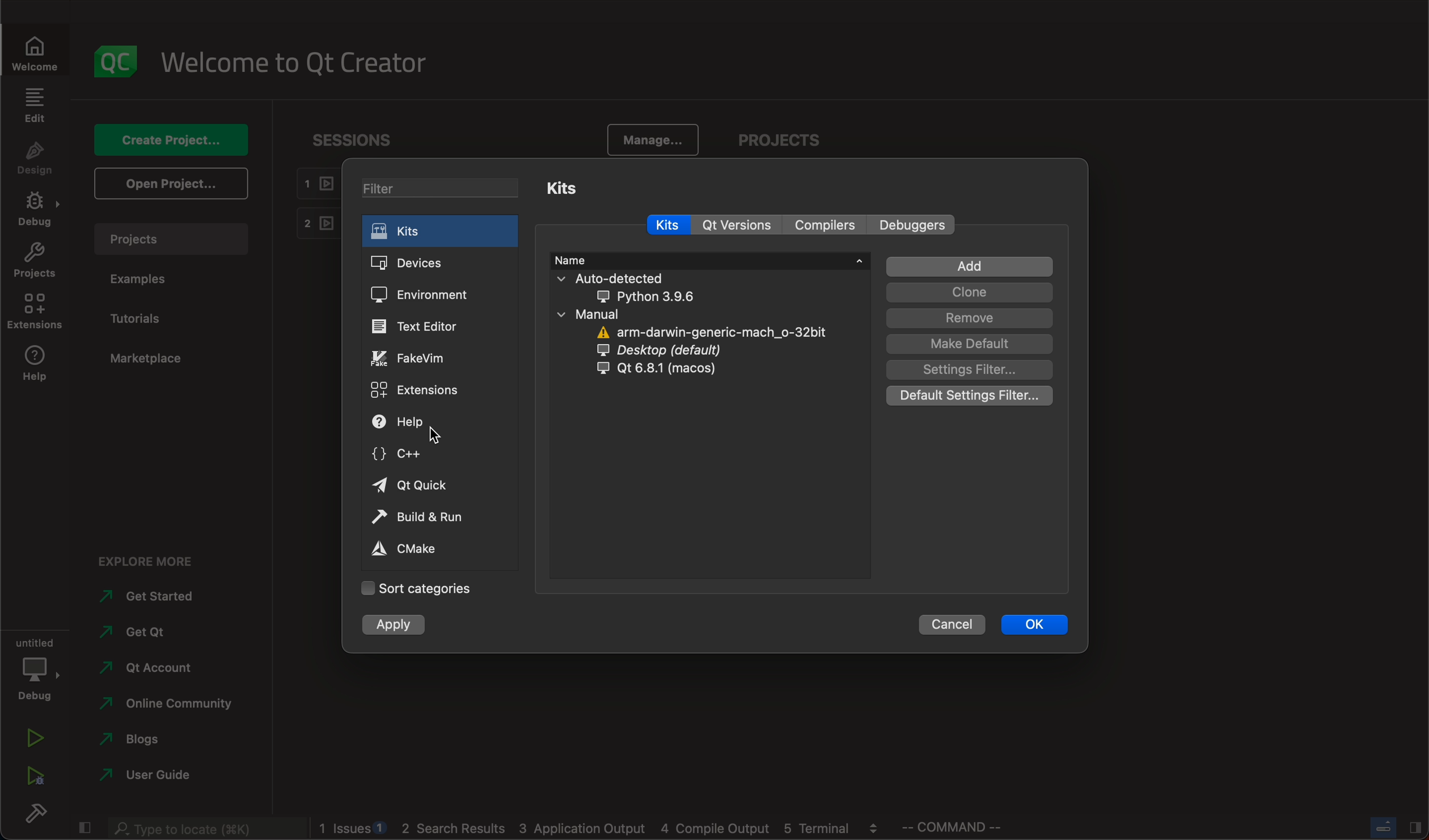  Describe the element at coordinates (174, 182) in the screenshot. I see `open` at that location.